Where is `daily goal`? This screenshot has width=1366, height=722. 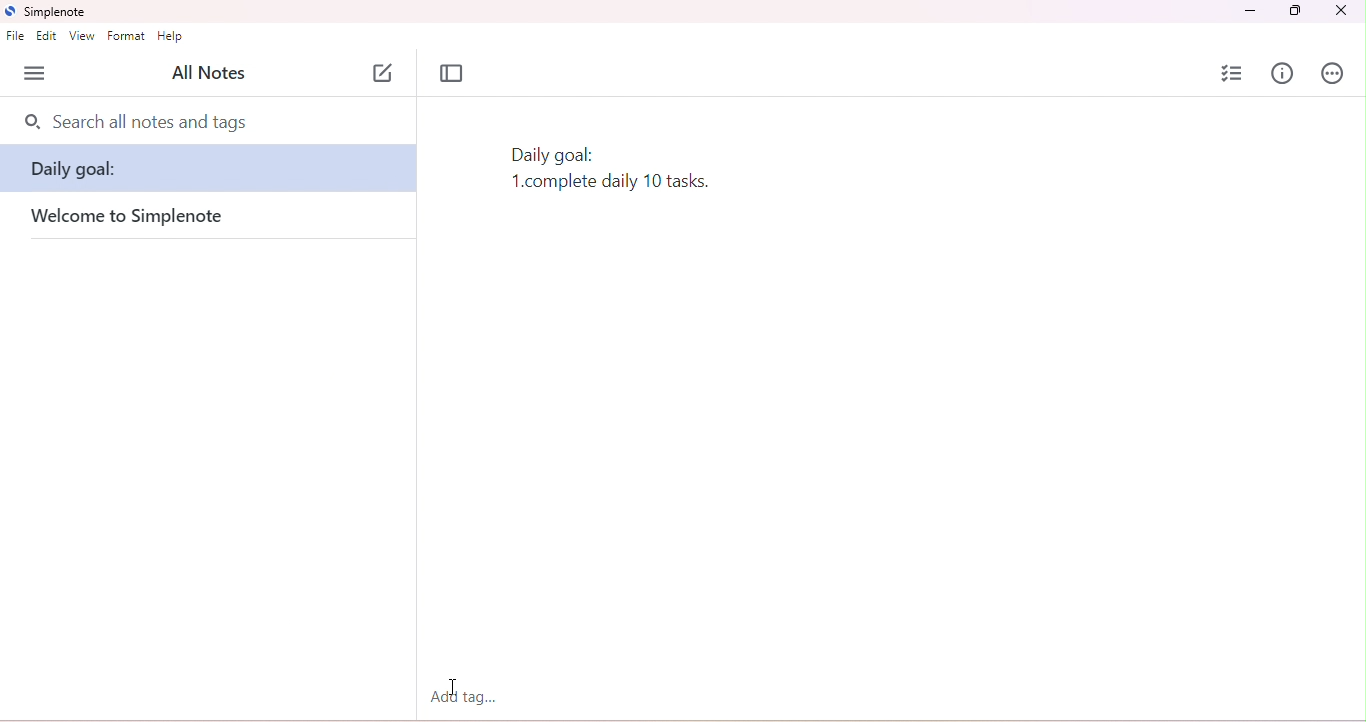 daily goal is located at coordinates (210, 173).